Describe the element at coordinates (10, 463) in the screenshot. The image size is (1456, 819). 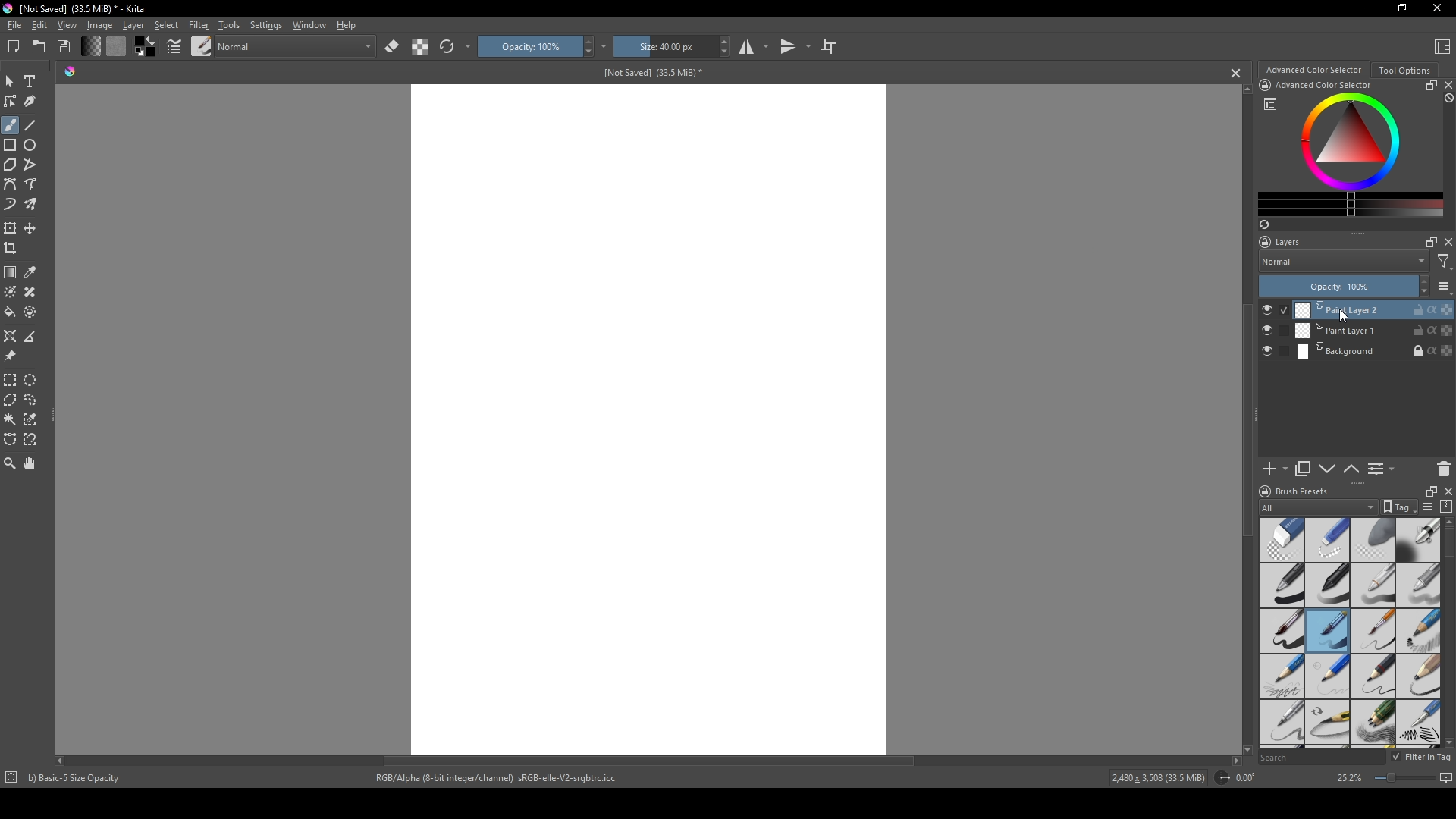
I see `zoom` at that location.